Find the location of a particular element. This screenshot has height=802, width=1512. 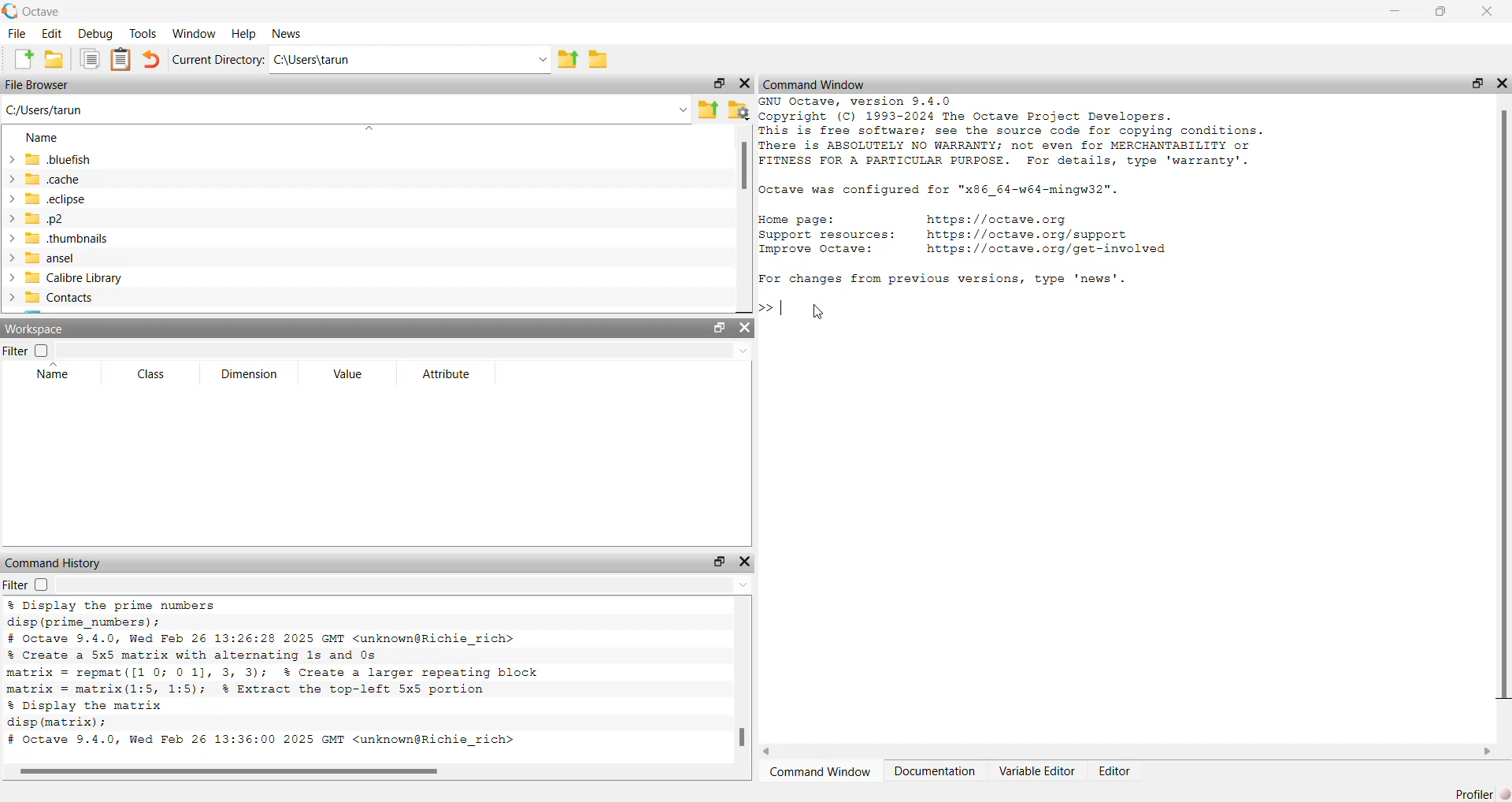

help is located at coordinates (242, 33).